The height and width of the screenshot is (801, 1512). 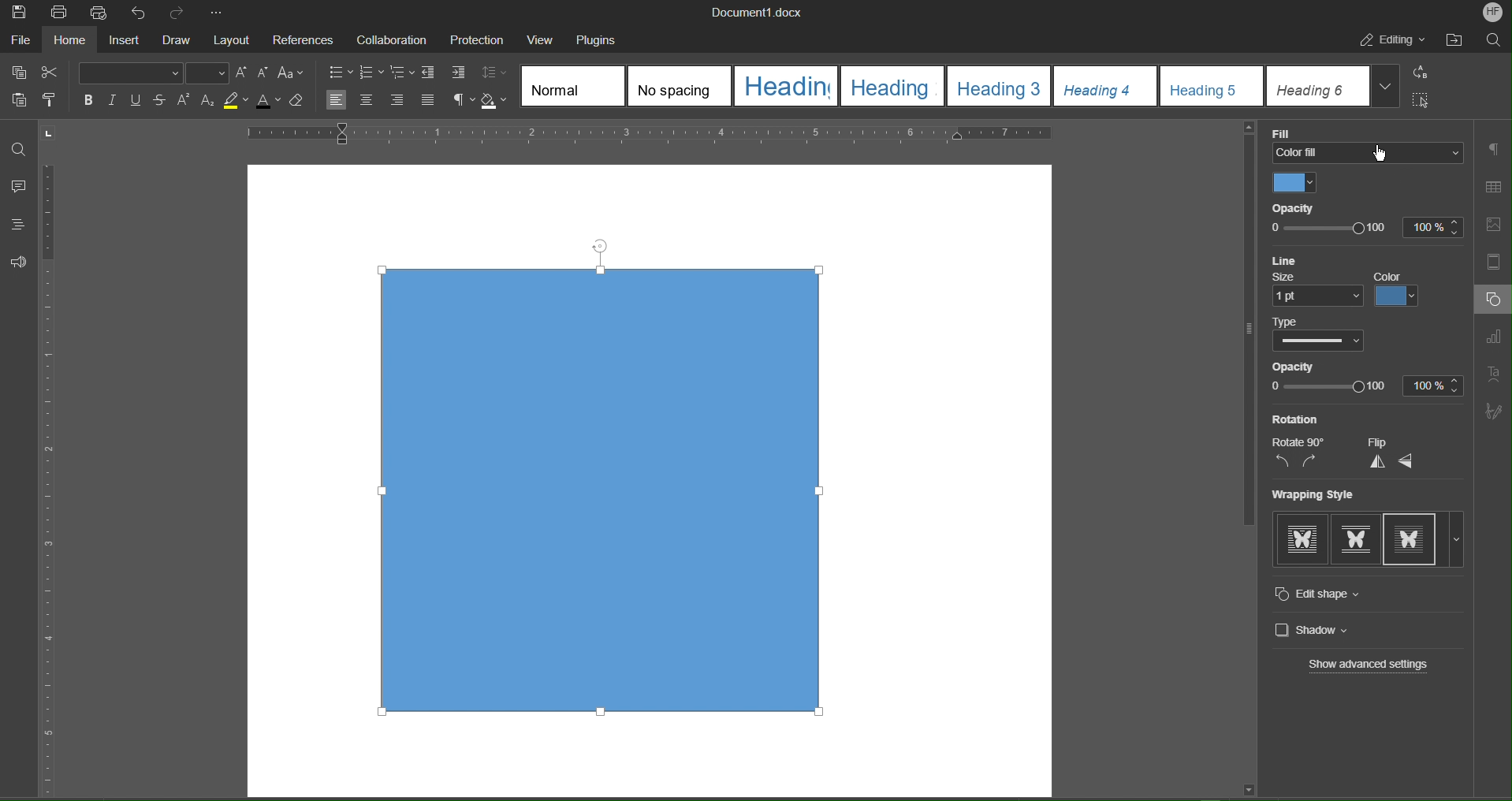 I want to click on Show advanced settings, so click(x=1365, y=665).